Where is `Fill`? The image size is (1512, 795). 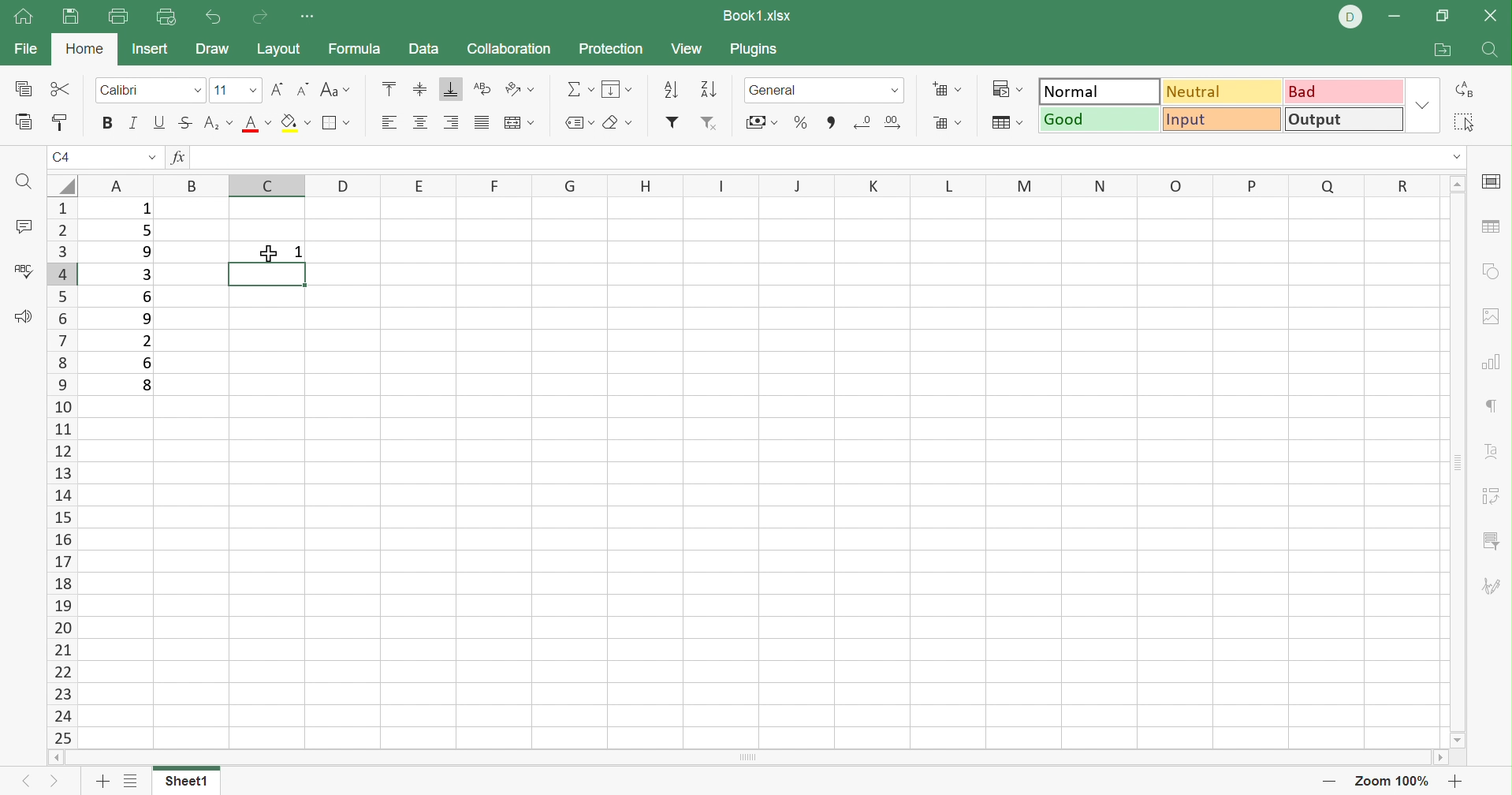
Fill is located at coordinates (616, 89).